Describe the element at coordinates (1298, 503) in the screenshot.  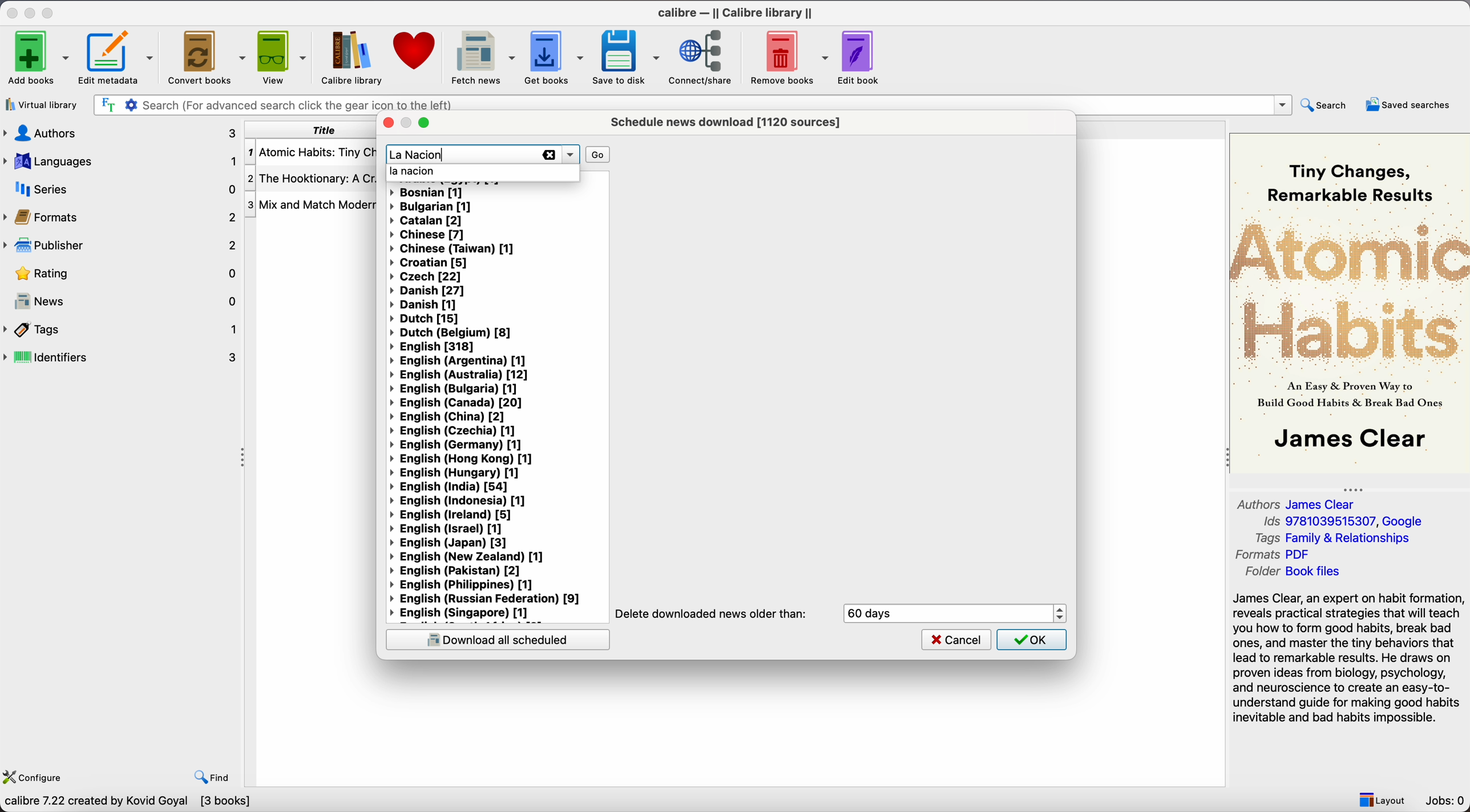
I see `Authors James Clear` at that location.